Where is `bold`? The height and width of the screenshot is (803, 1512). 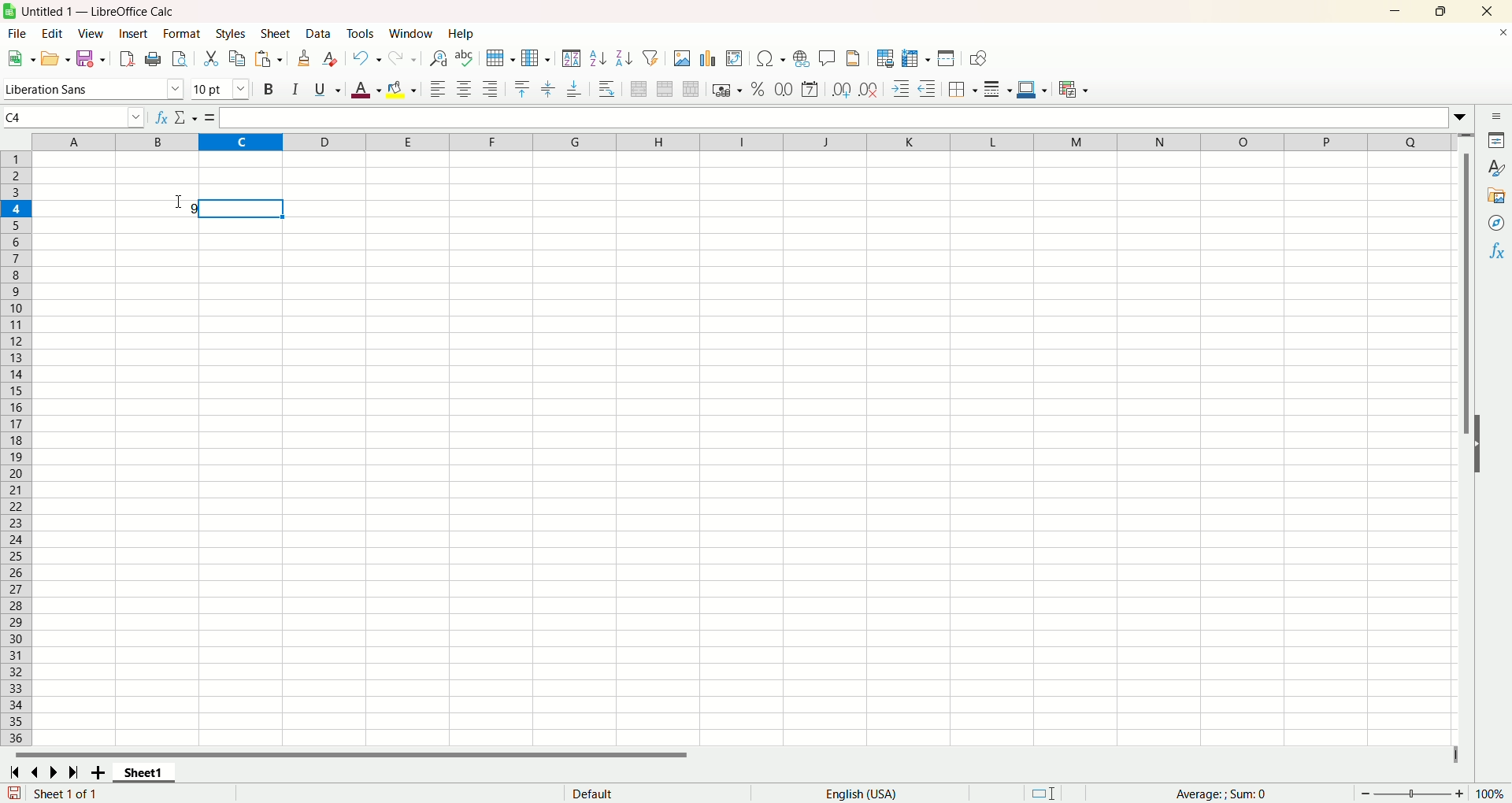 bold is located at coordinates (267, 91).